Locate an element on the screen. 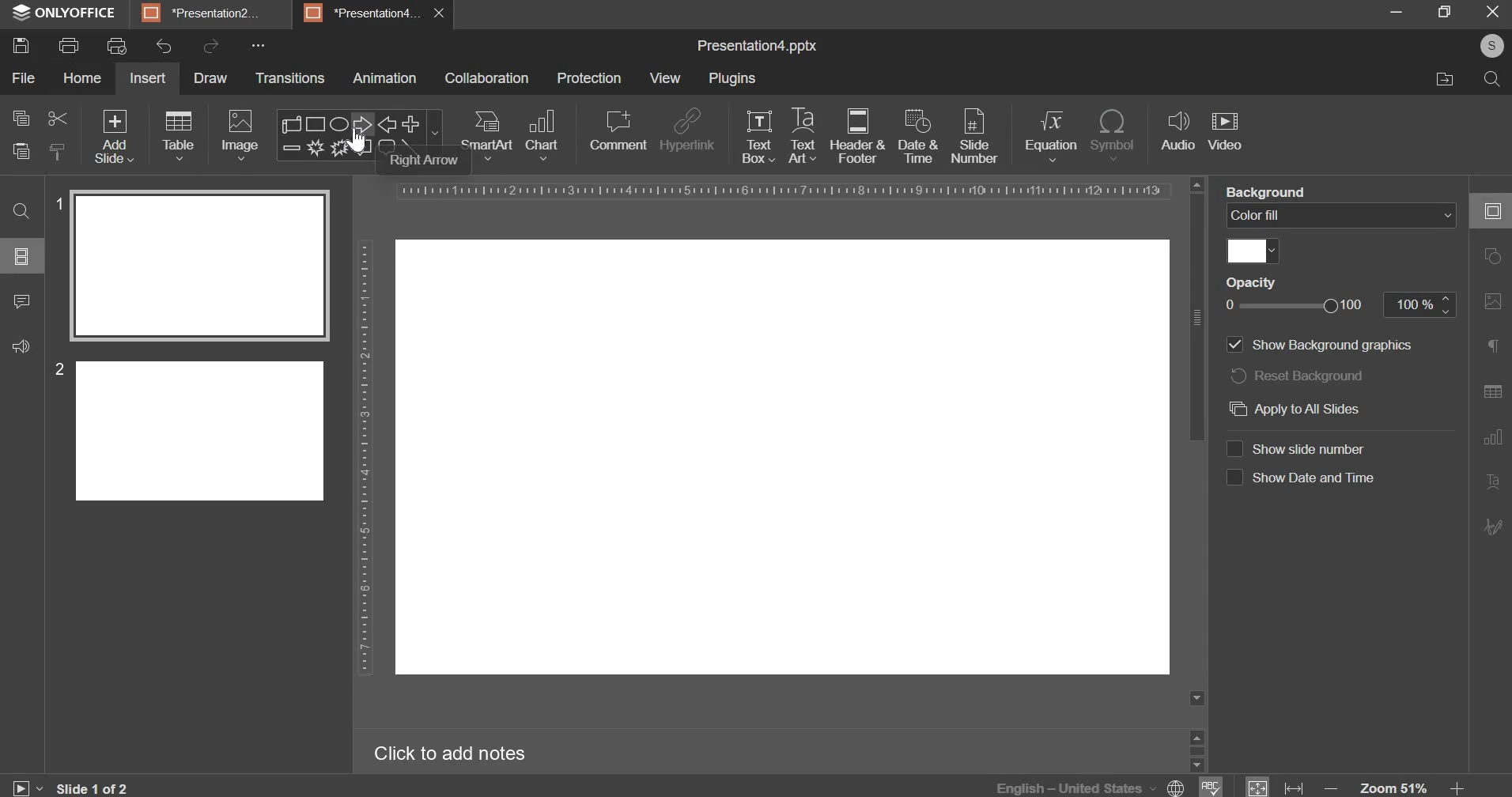  audio is located at coordinates (1177, 132).